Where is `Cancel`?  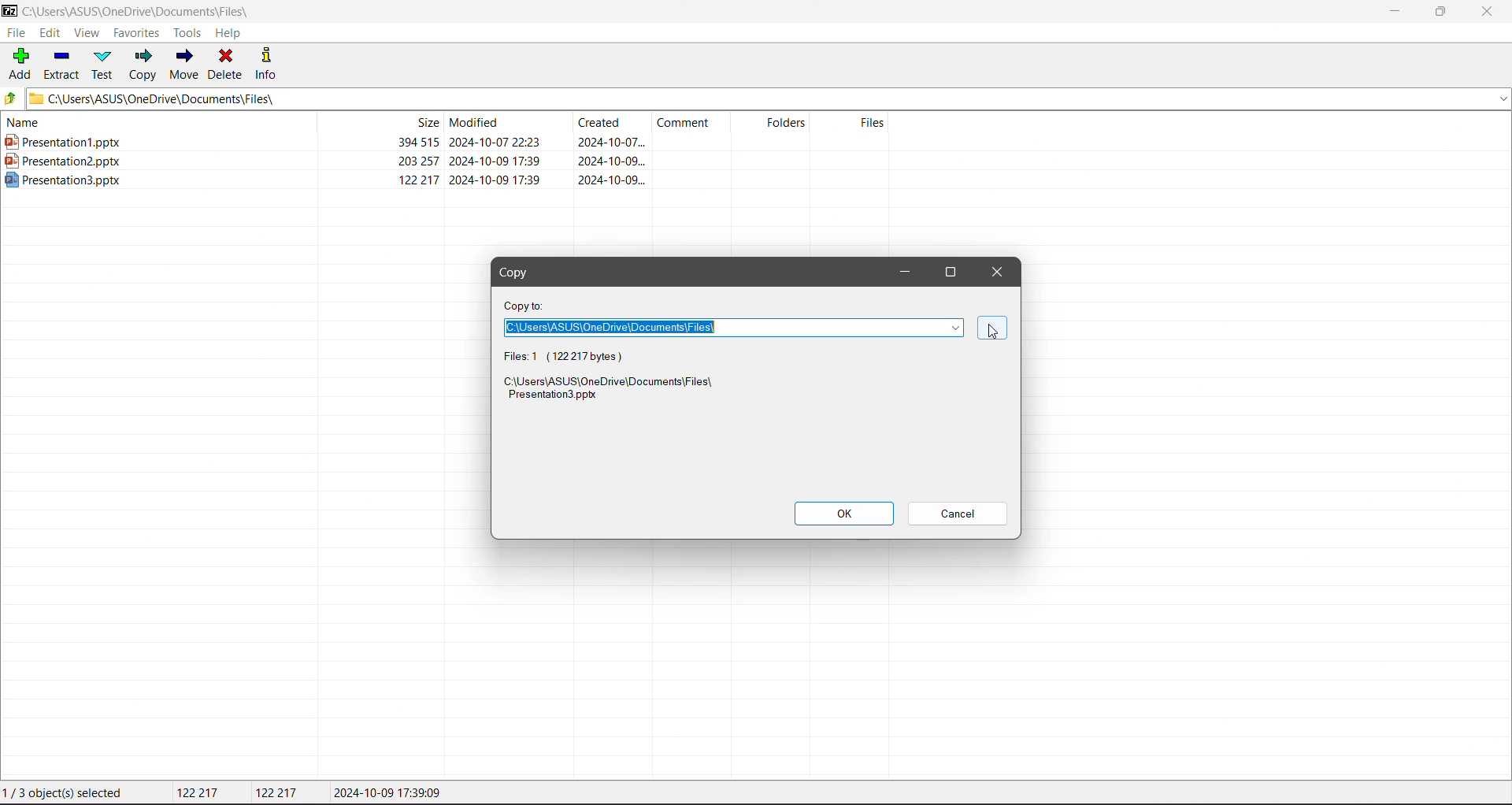
Cancel is located at coordinates (958, 514).